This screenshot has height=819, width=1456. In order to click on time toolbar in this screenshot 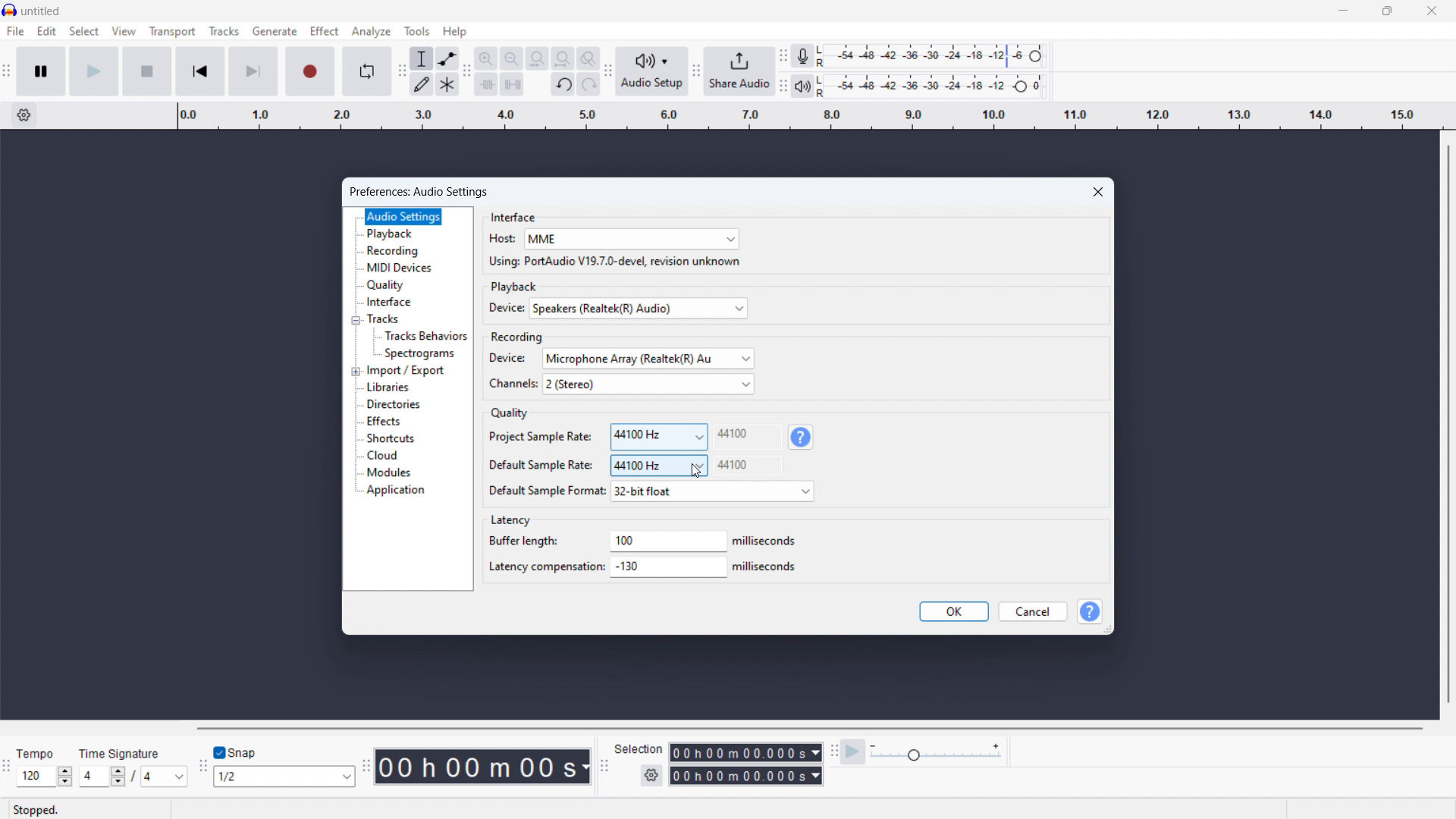, I will do `click(366, 767)`.